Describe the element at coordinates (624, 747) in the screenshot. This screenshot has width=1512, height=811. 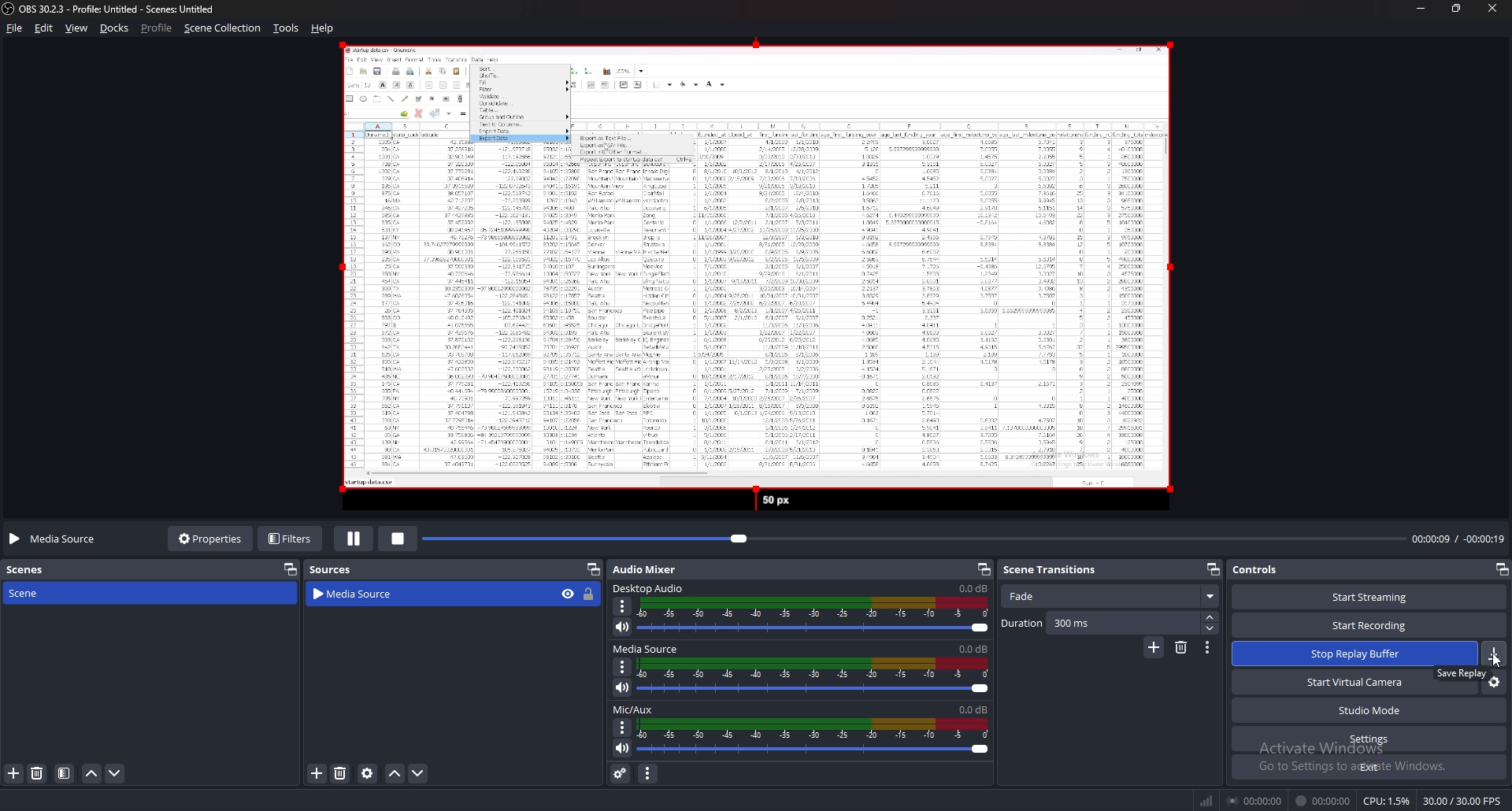
I see `mute` at that location.